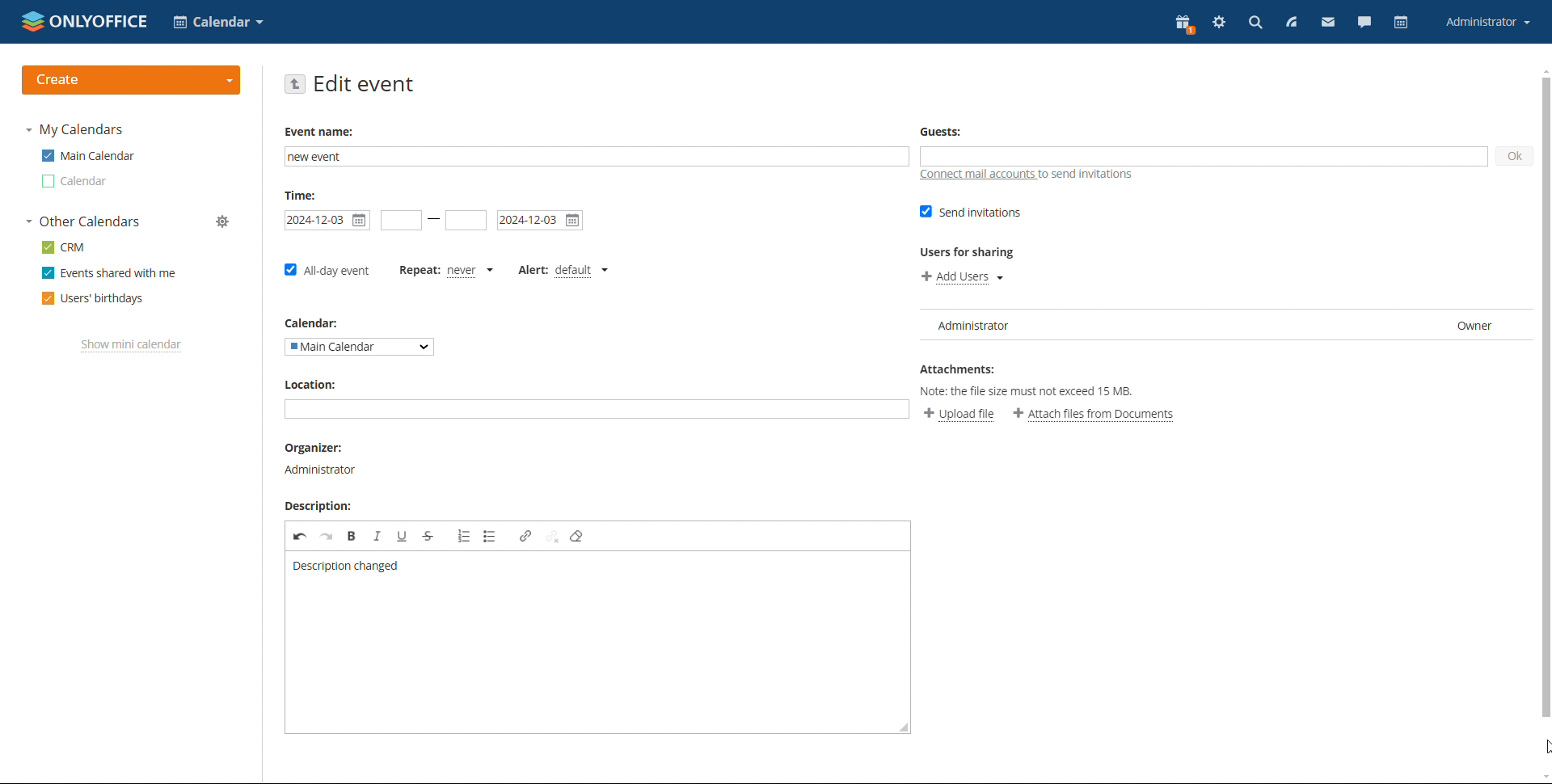 This screenshot has height=784, width=1552. Describe the element at coordinates (1185, 24) in the screenshot. I see `present` at that location.